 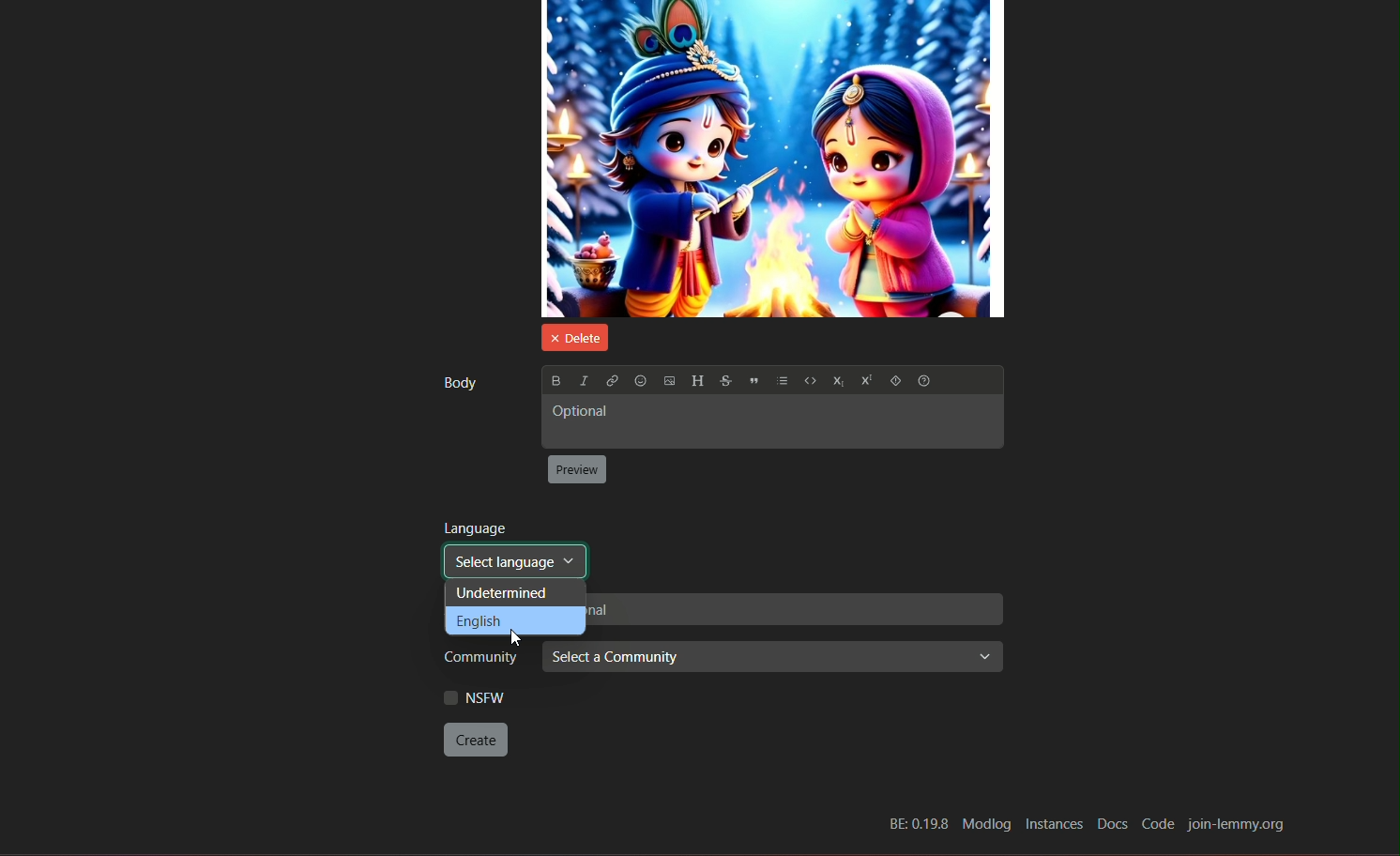 I want to click on emoji, so click(x=640, y=381).